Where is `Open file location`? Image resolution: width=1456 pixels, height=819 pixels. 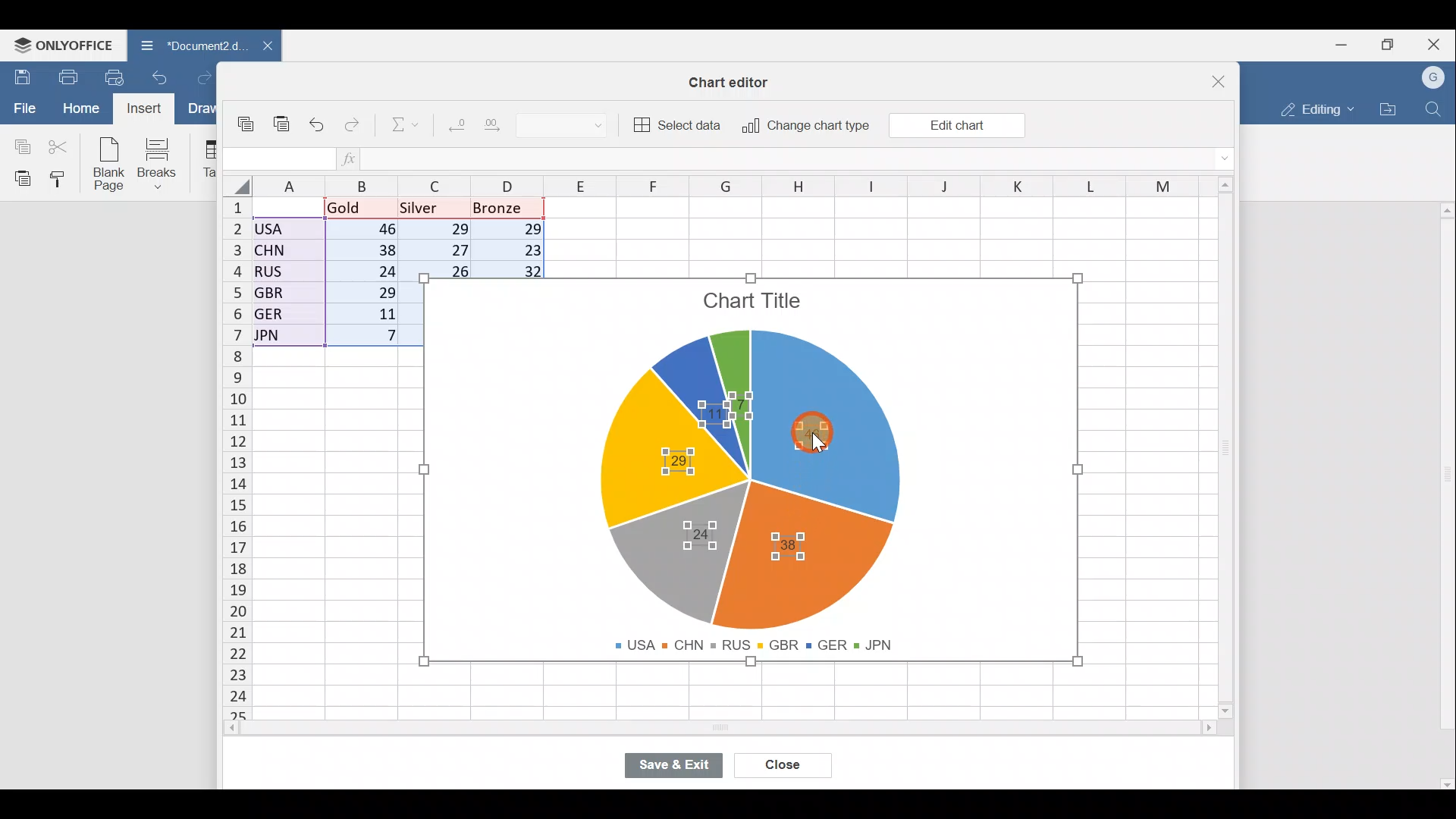
Open file location is located at coordinates (1388, 109).